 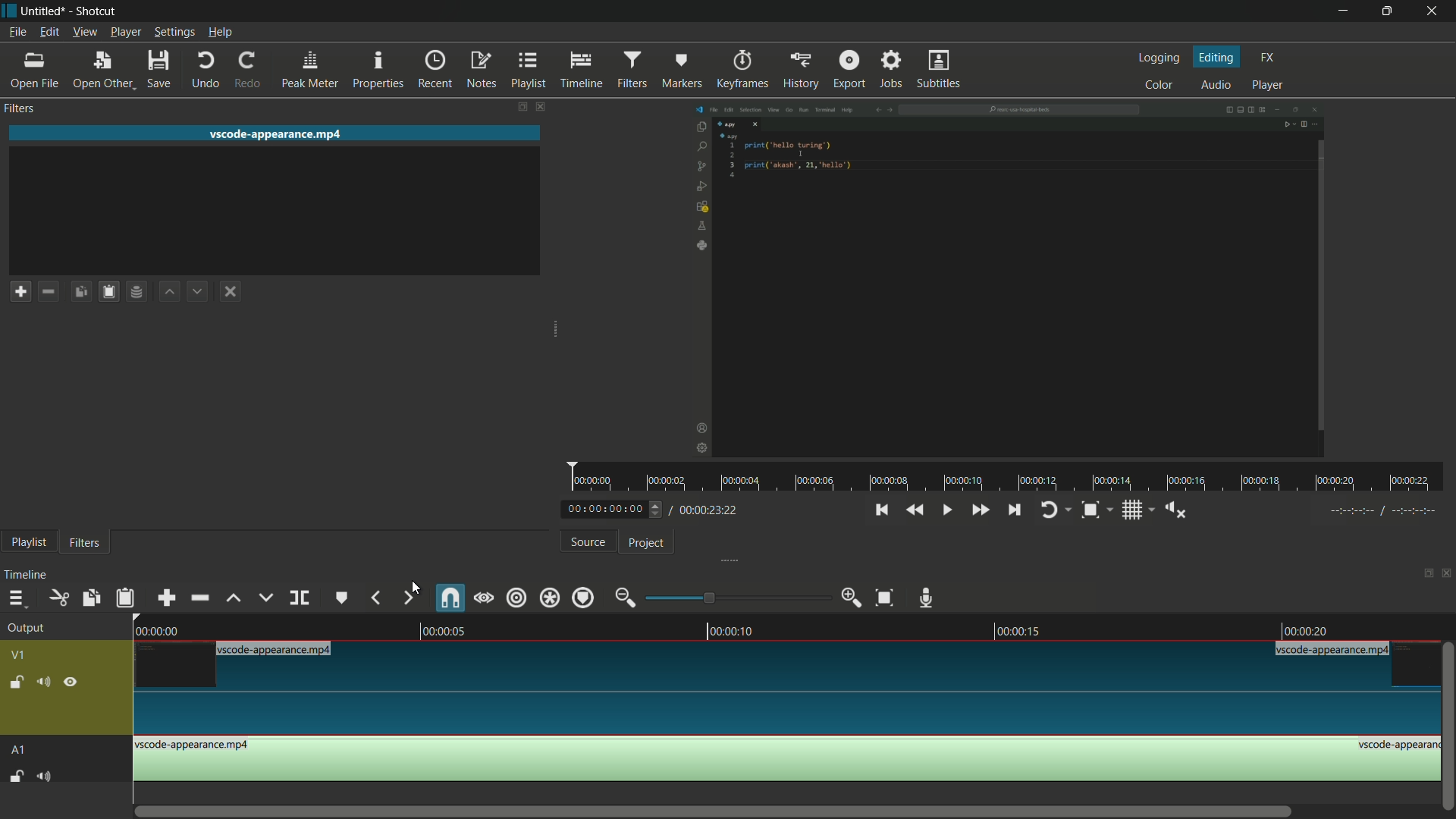 I want to click on copy checked filters, so click(x=81, y=290).